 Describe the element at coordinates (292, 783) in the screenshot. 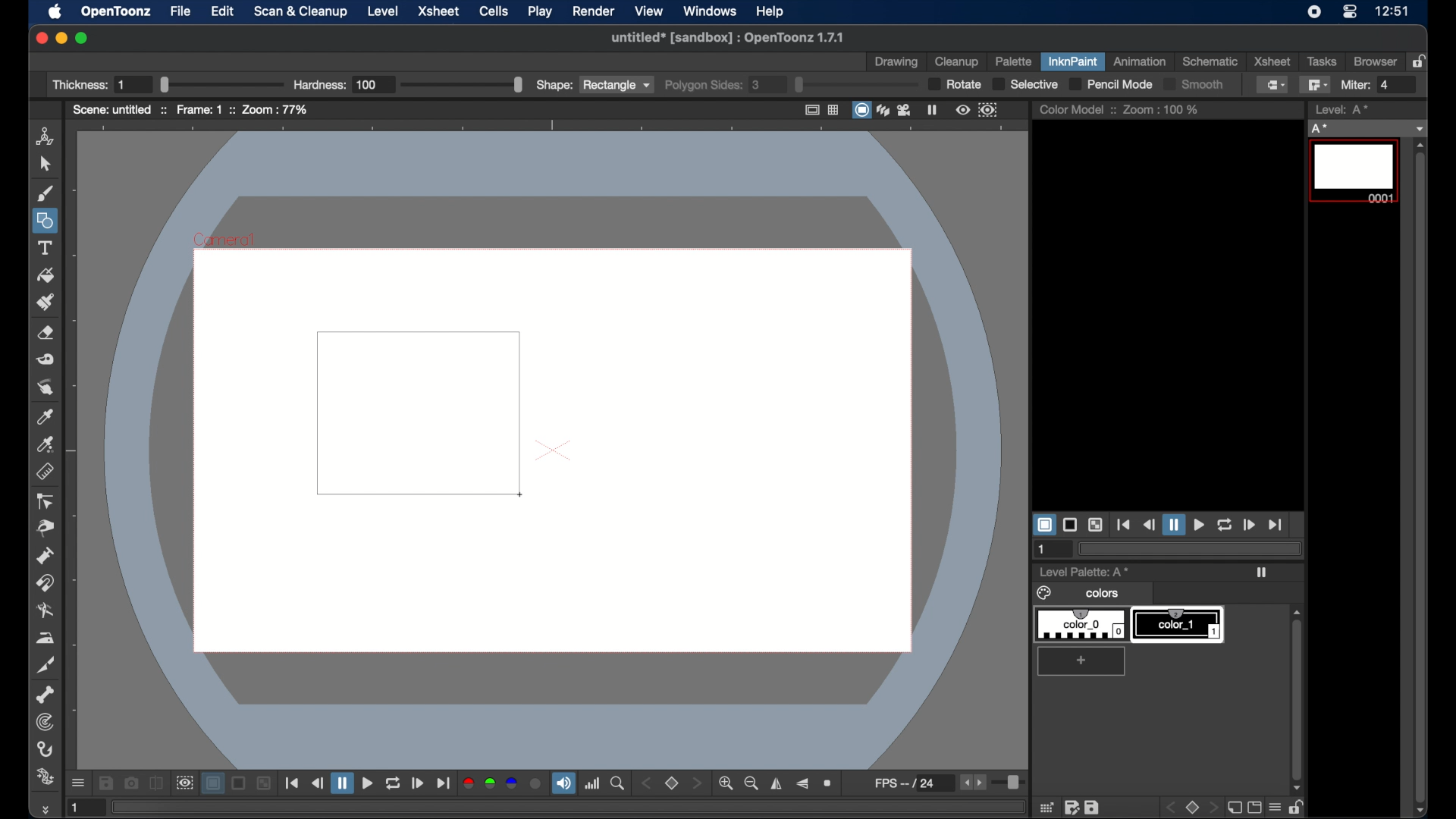

I see `jump to start` at that location.